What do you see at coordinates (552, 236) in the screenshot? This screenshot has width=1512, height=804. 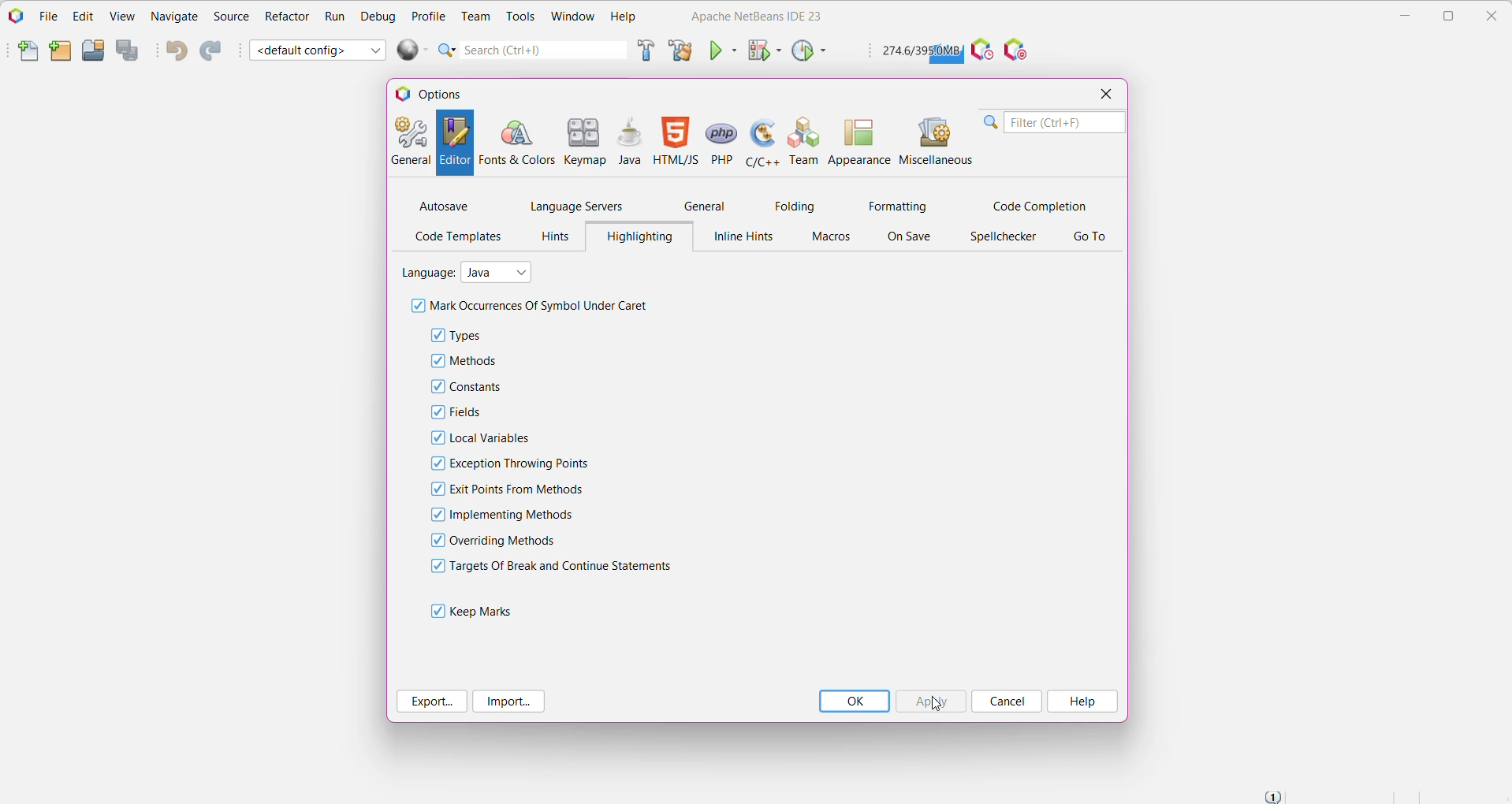 I see `Hints` at bounding box center [552, 236].